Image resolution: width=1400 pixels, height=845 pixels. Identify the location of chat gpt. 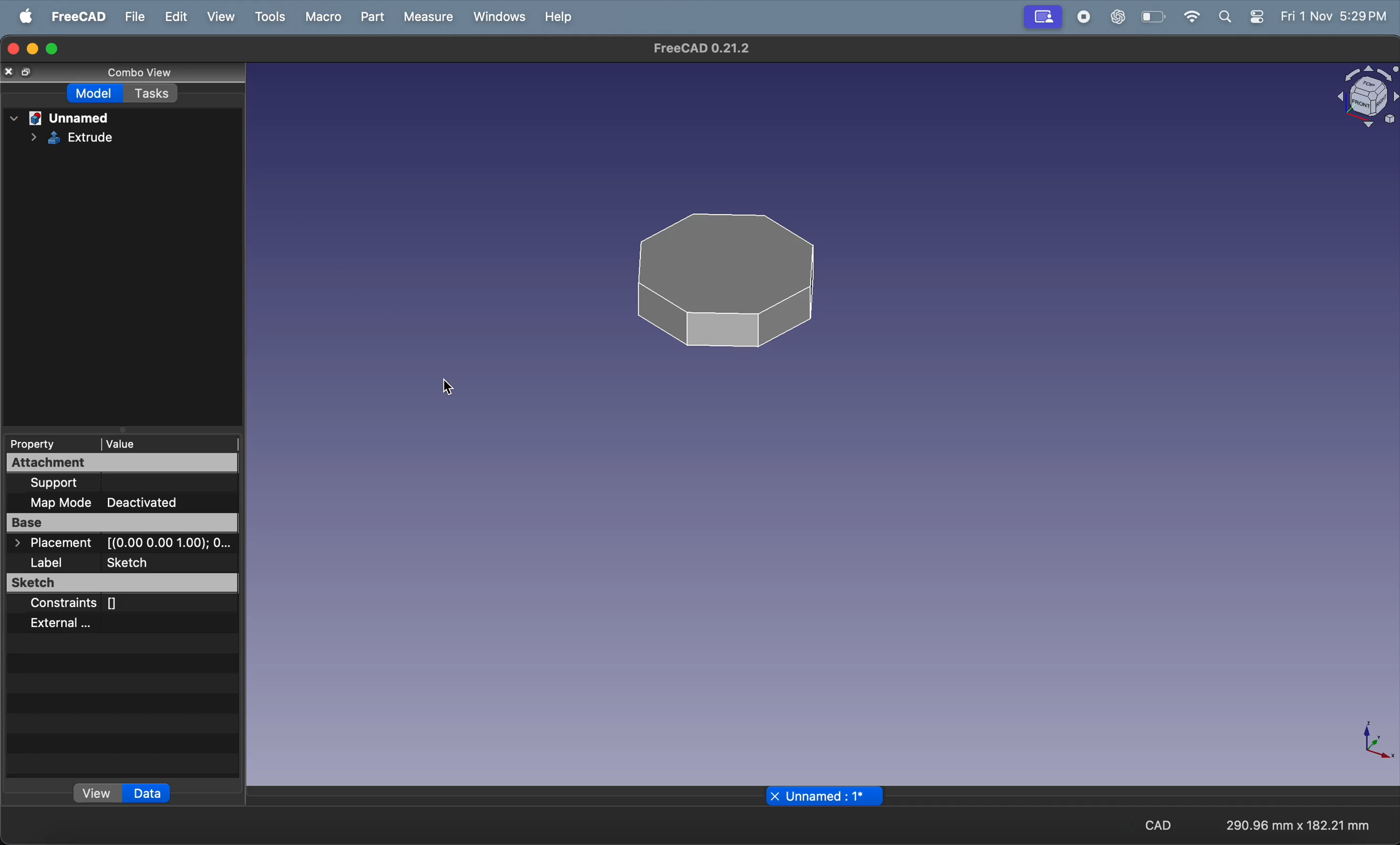
(1116, 17).